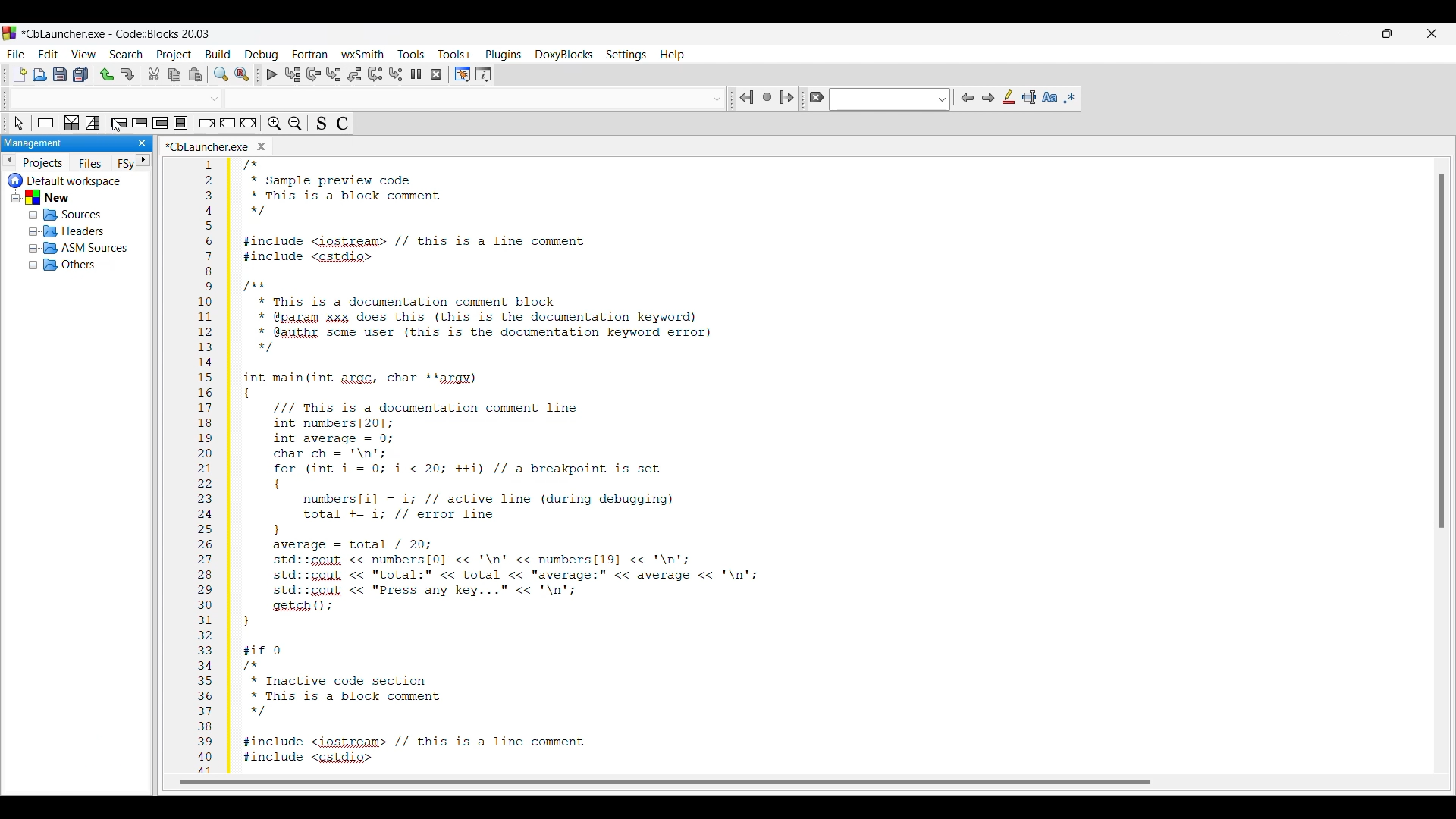 This screenshot has width=1456, height=819. I want to click on Project tree panel added to interface, so click(76, 463).